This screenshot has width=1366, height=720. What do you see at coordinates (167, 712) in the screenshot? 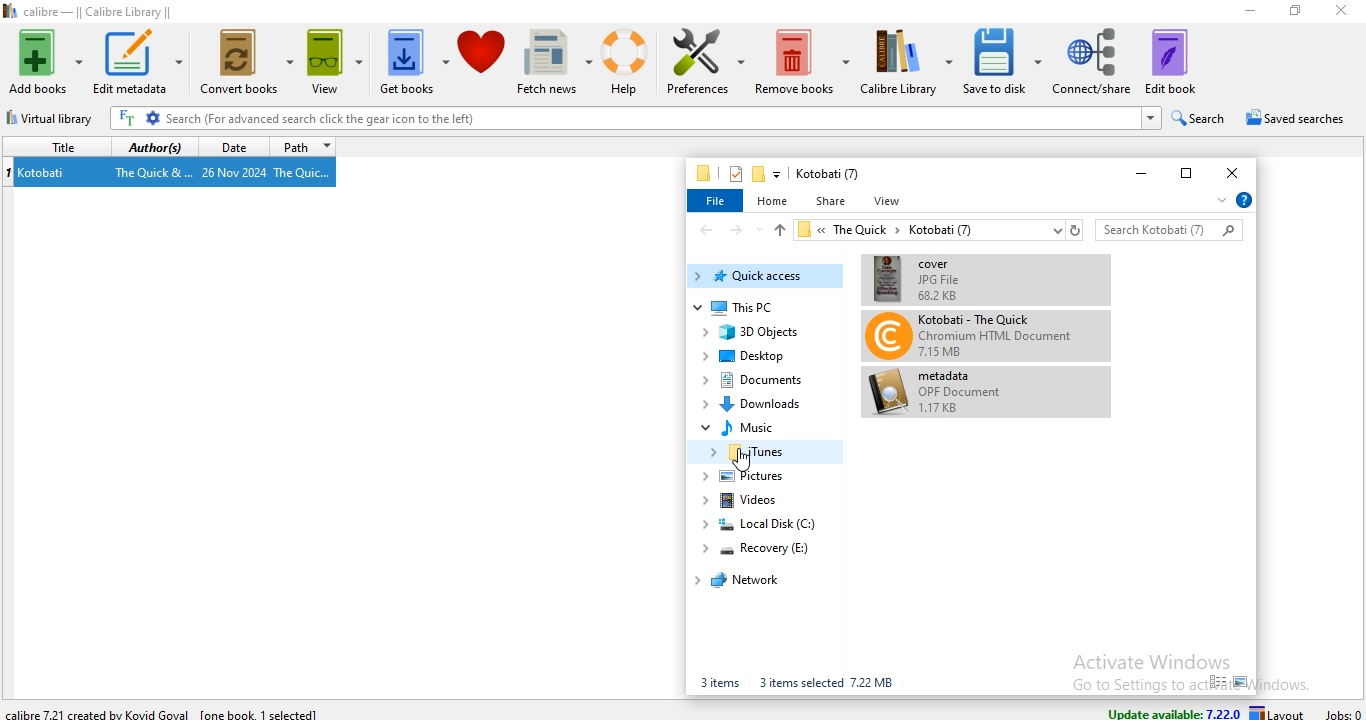
I see `calibre 7.22.1 created by Kovid Goyal [one book 1 selected]` at bounding box center [167, 712].